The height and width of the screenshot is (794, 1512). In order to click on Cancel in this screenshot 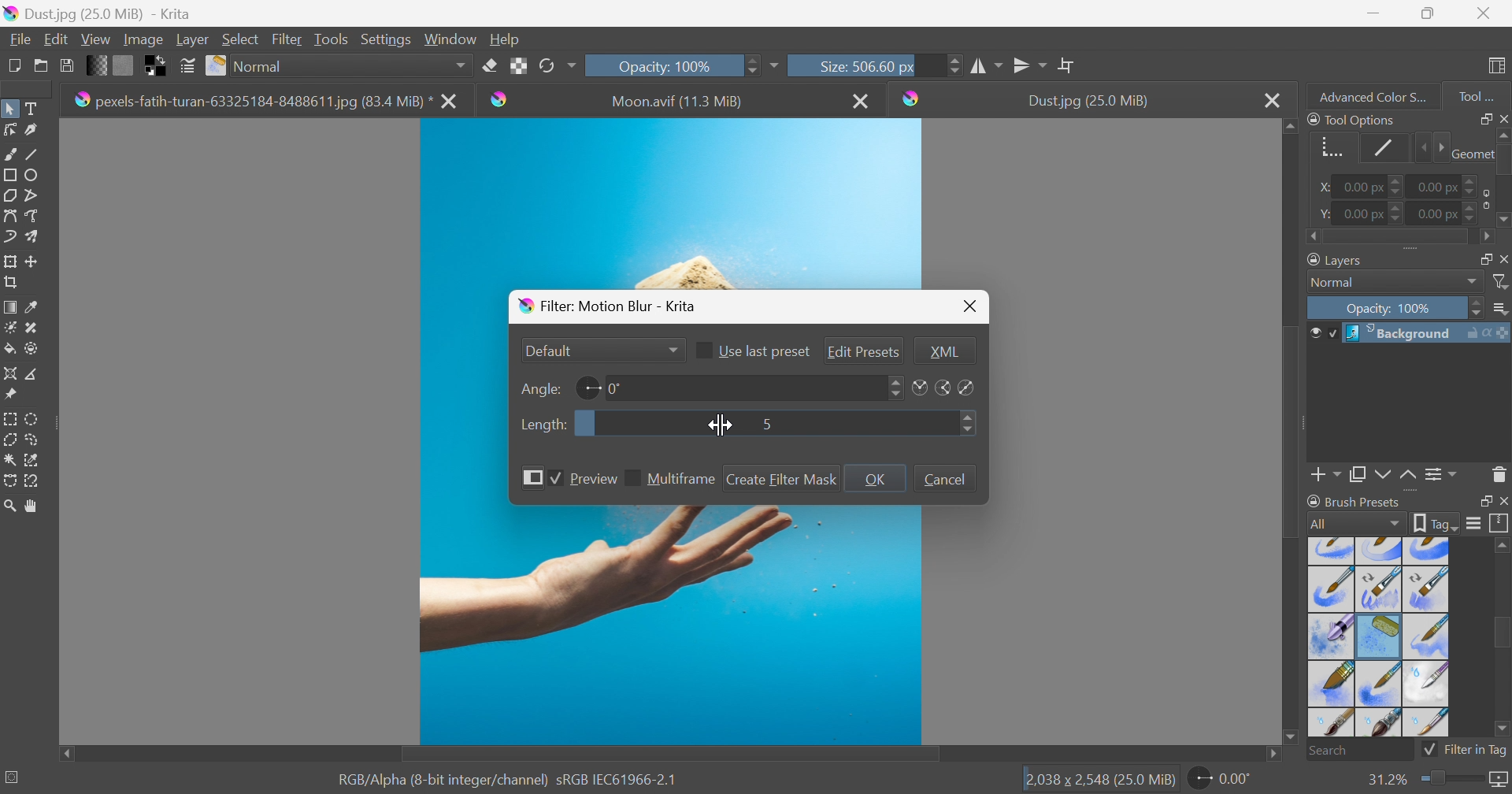, I will do `click(944, 478)`.